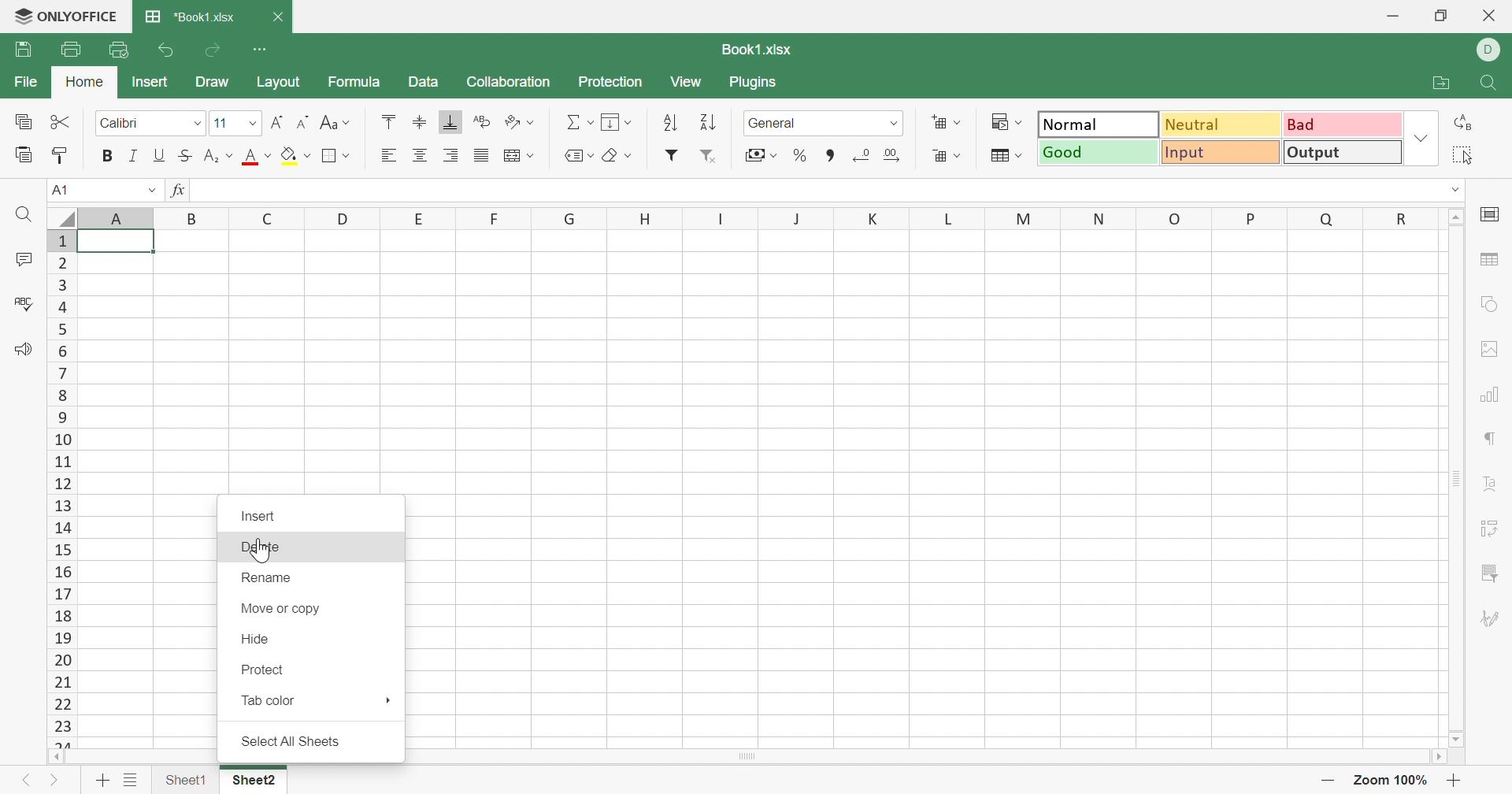 This screenshot has width=1512, height=794. I want to click on Select All Sheets, so click(288, 740).